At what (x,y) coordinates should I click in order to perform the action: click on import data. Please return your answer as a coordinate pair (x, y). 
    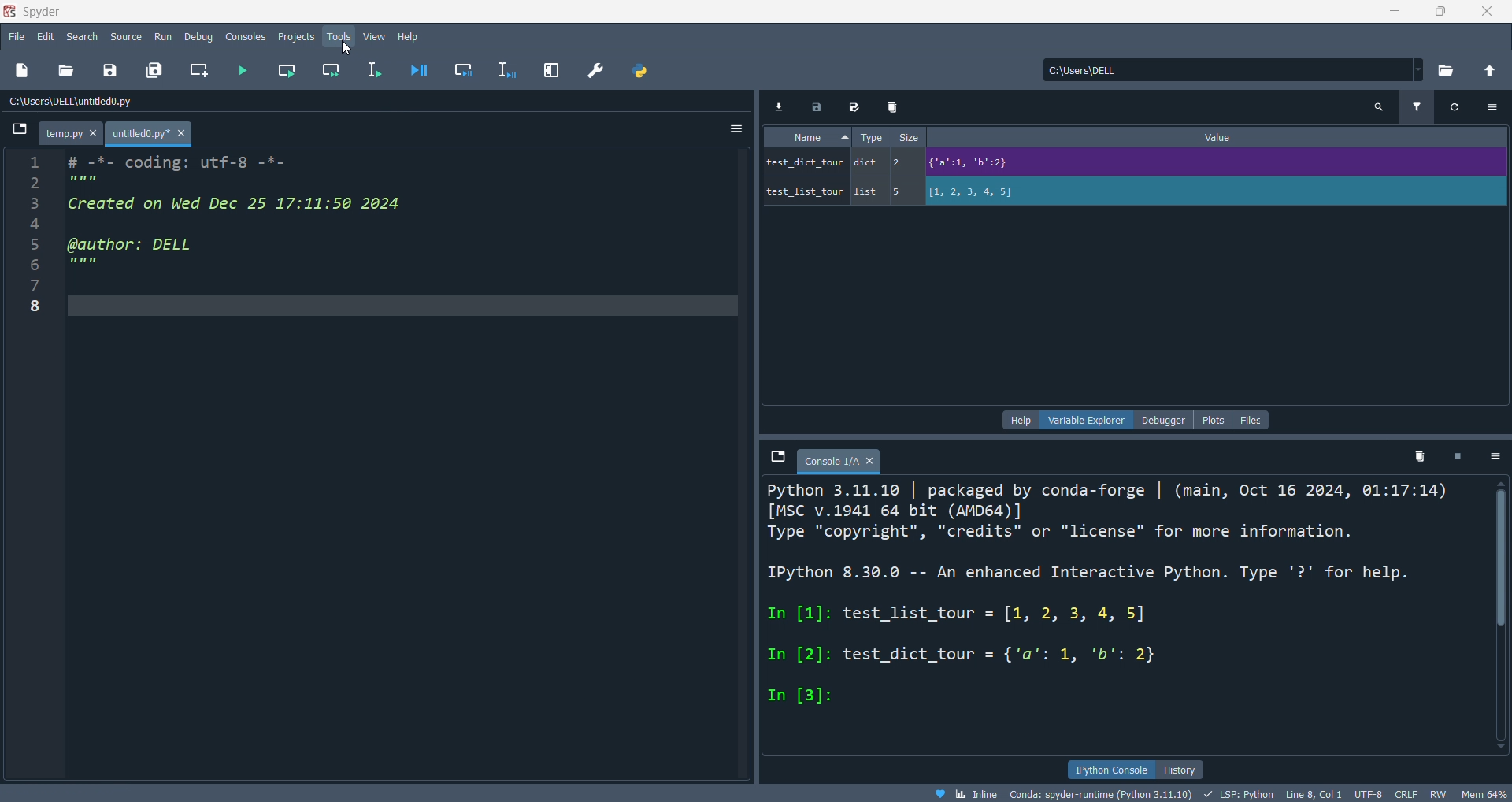
    Looking at the image, I should click on (778, 106).